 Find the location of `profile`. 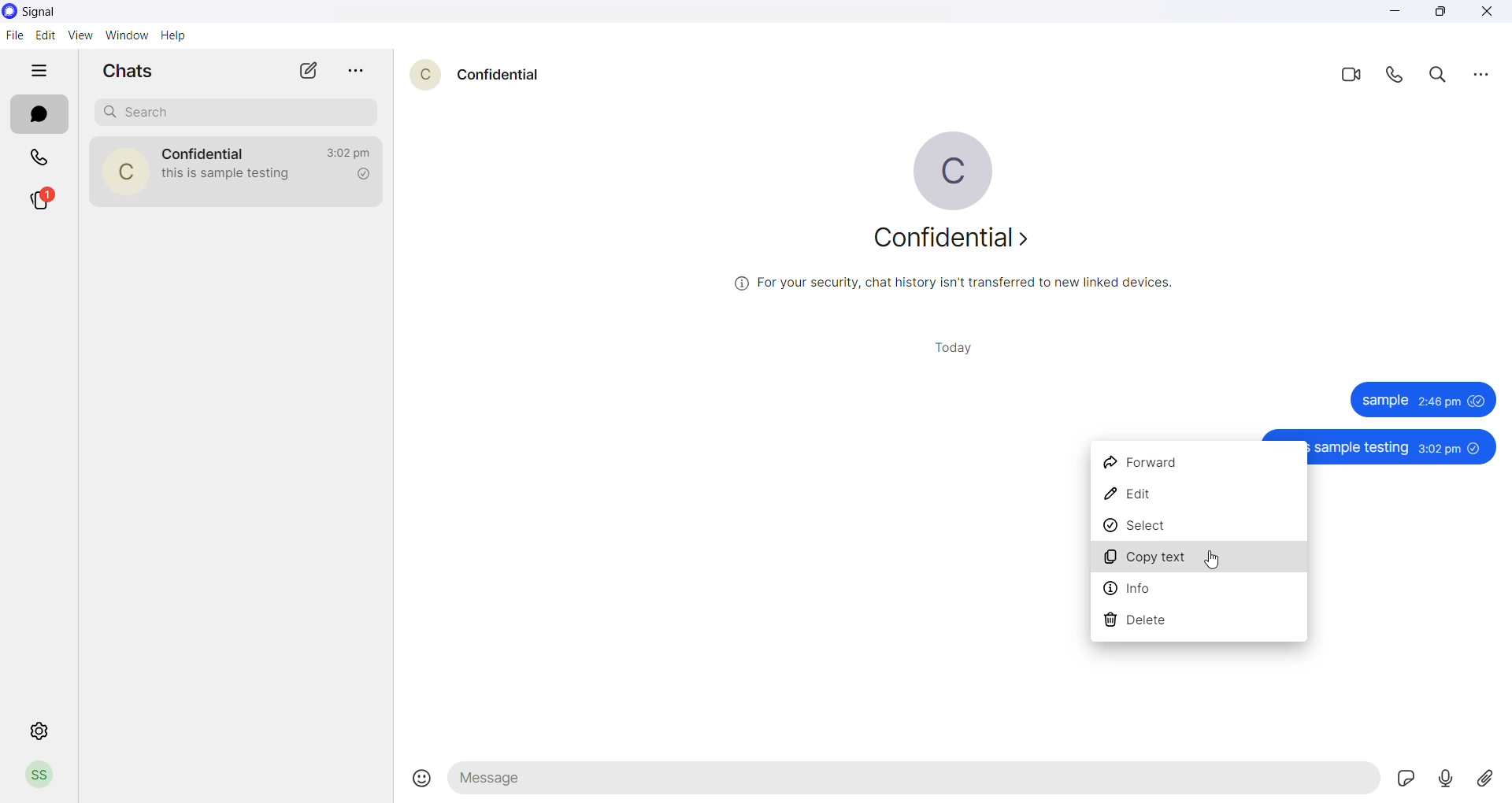

profile is located at coordinates (39, 776).